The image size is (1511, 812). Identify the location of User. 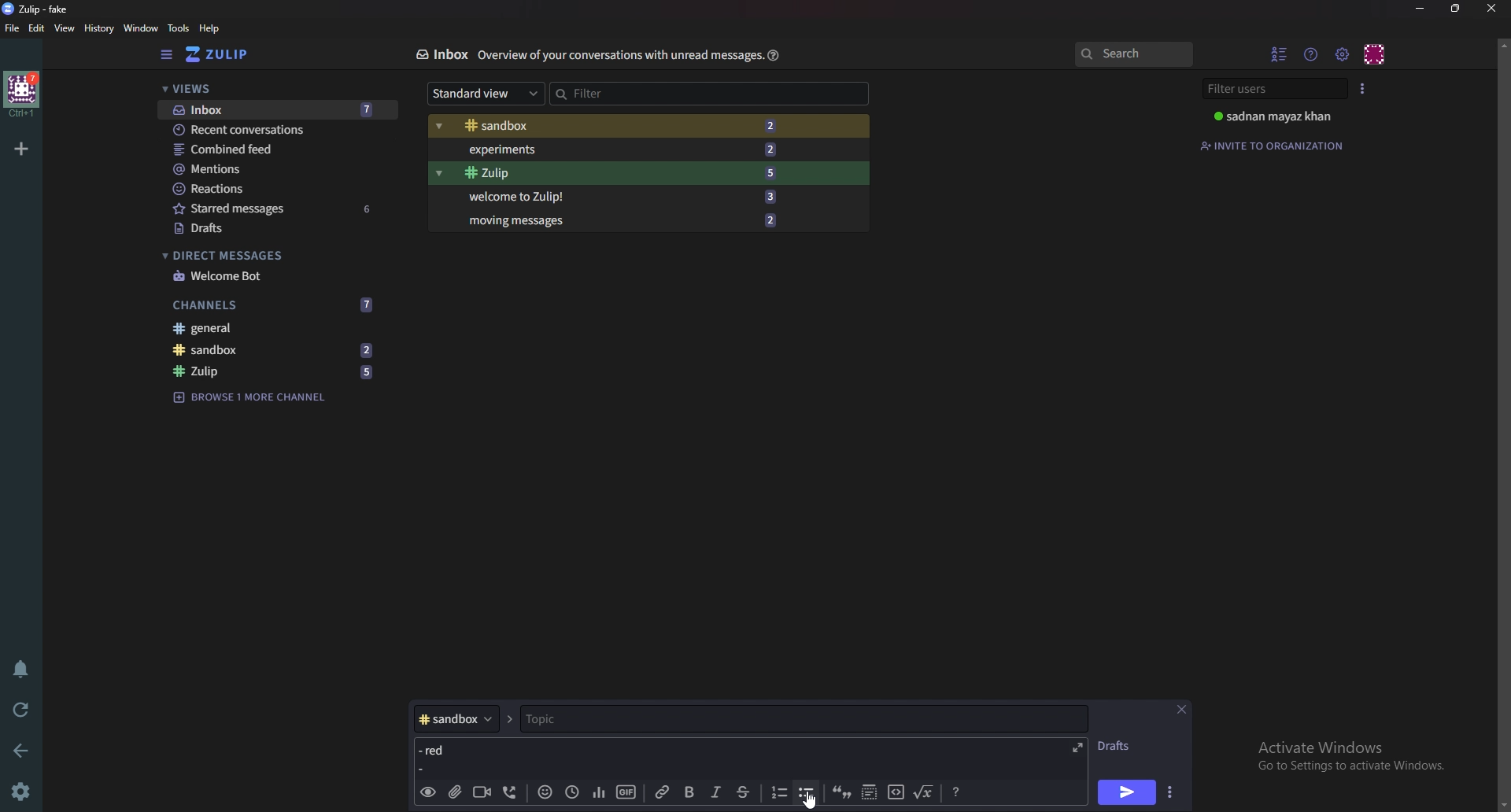
(1281, 116).